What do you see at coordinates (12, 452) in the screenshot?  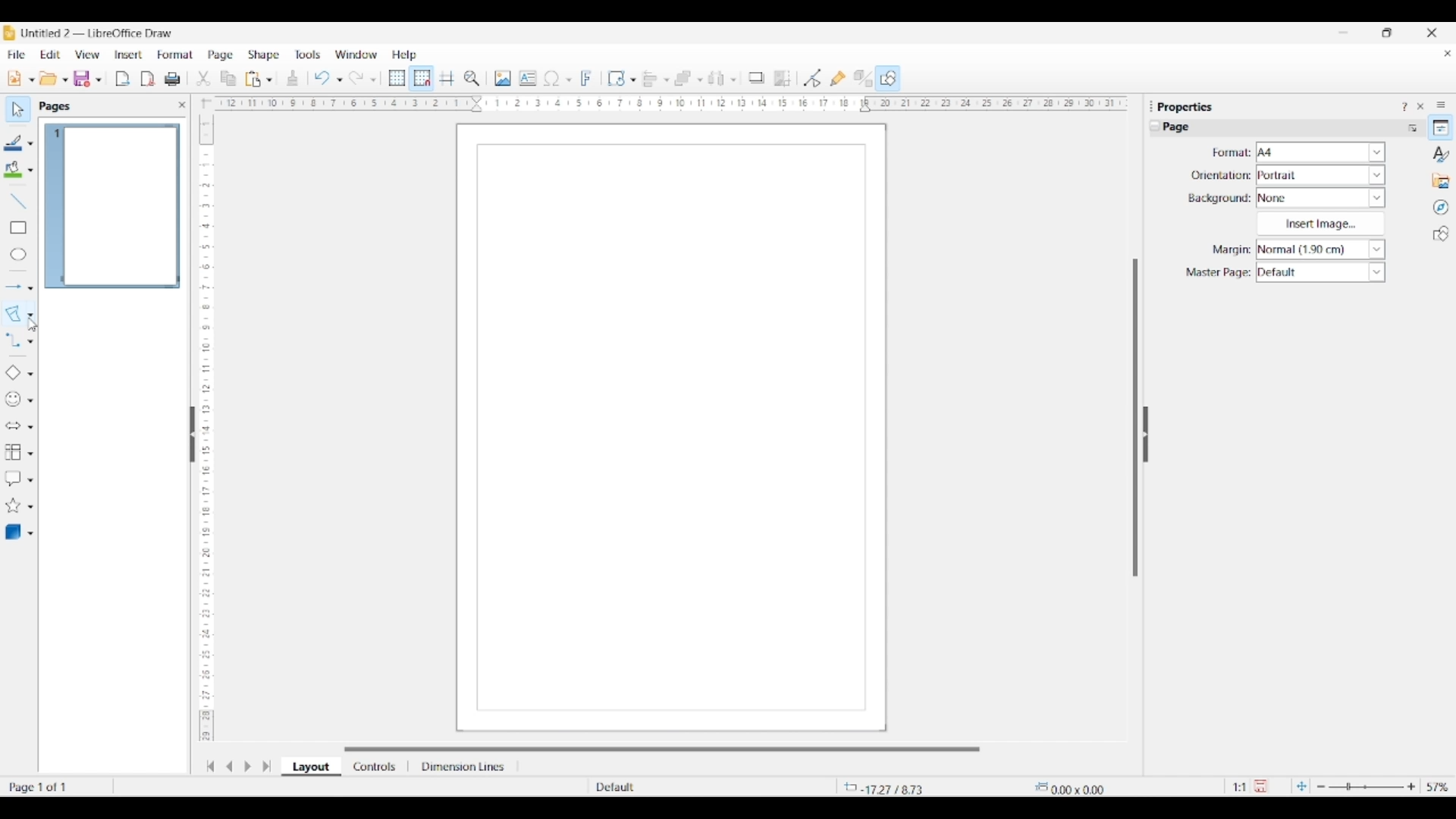 I see `Selected flowchart` at bounding box center [12, 452].